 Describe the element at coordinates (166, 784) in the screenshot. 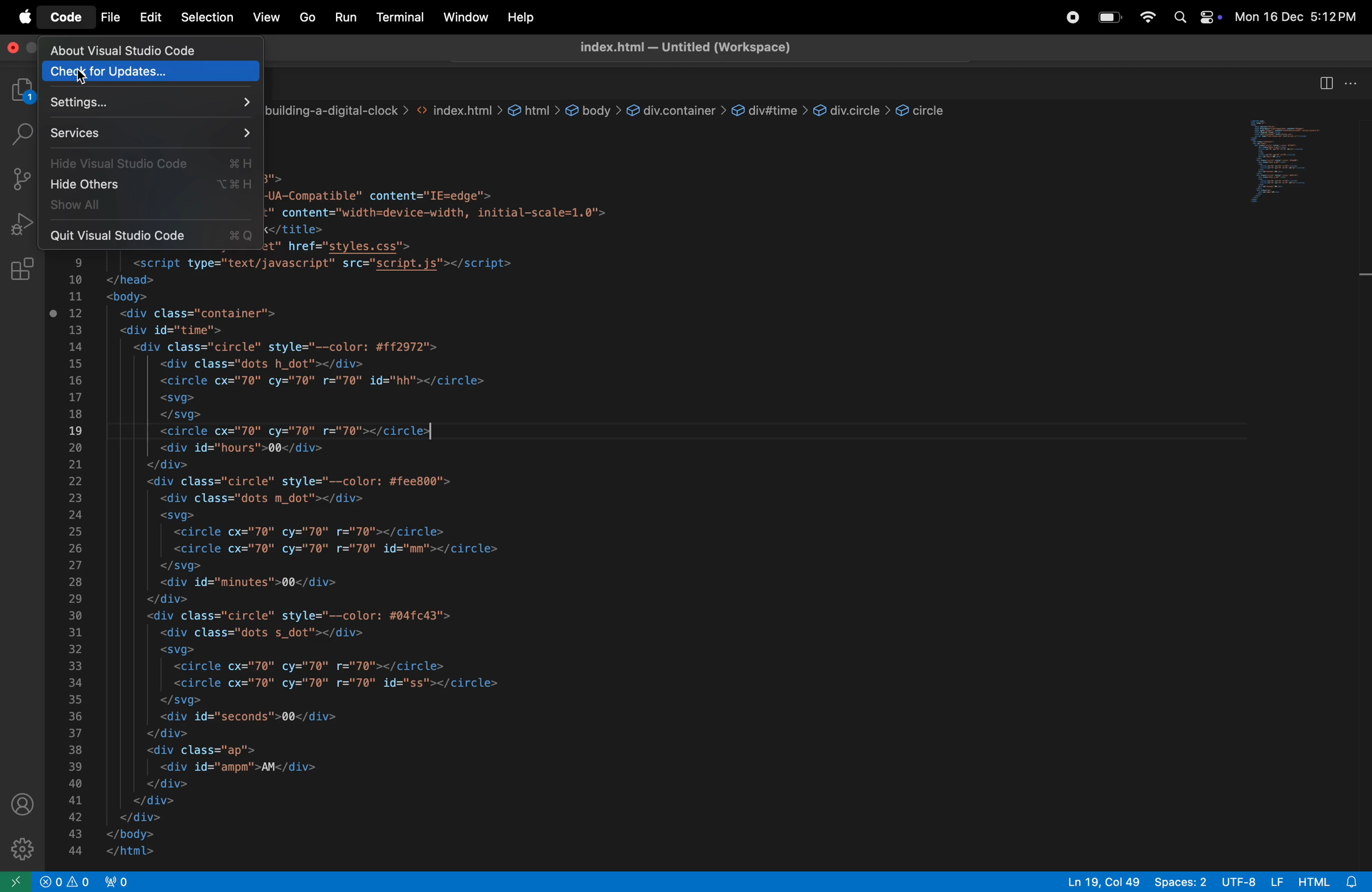

I see `</div>` at that location.